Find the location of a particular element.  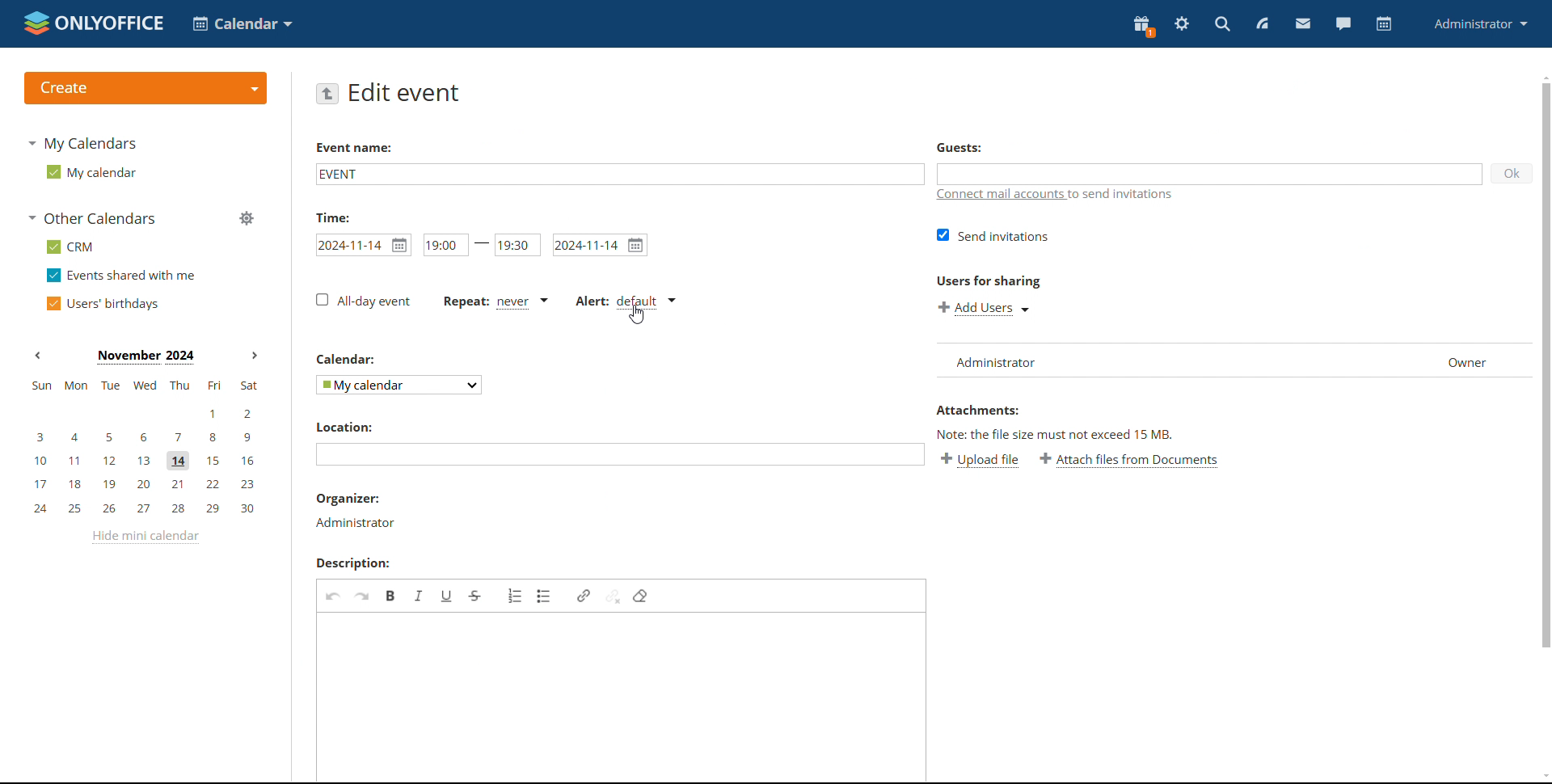

start time is located at coordinates (364, 245).